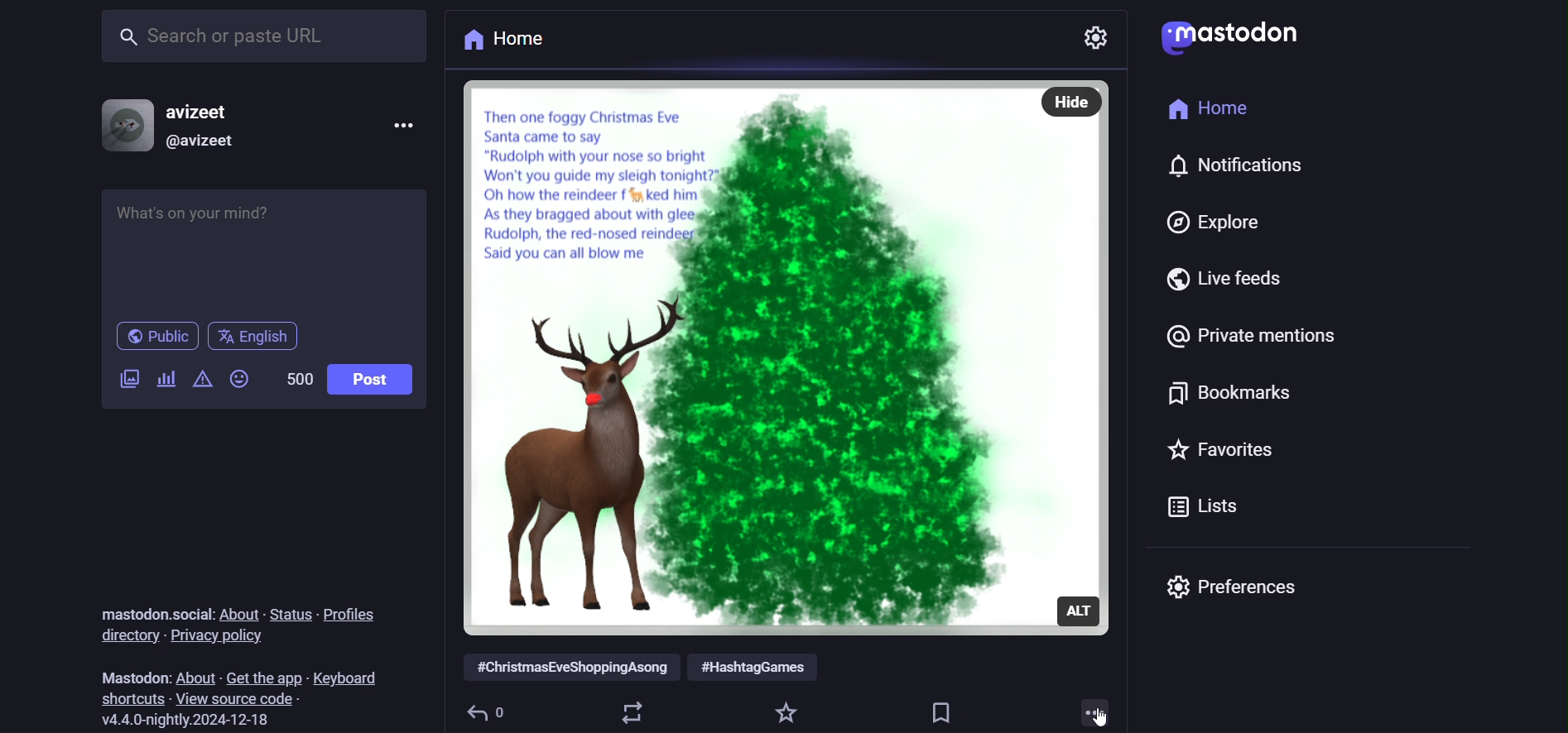  Describe the element at coordinates (406, 124) in the screenshot. I see `more` at that location.